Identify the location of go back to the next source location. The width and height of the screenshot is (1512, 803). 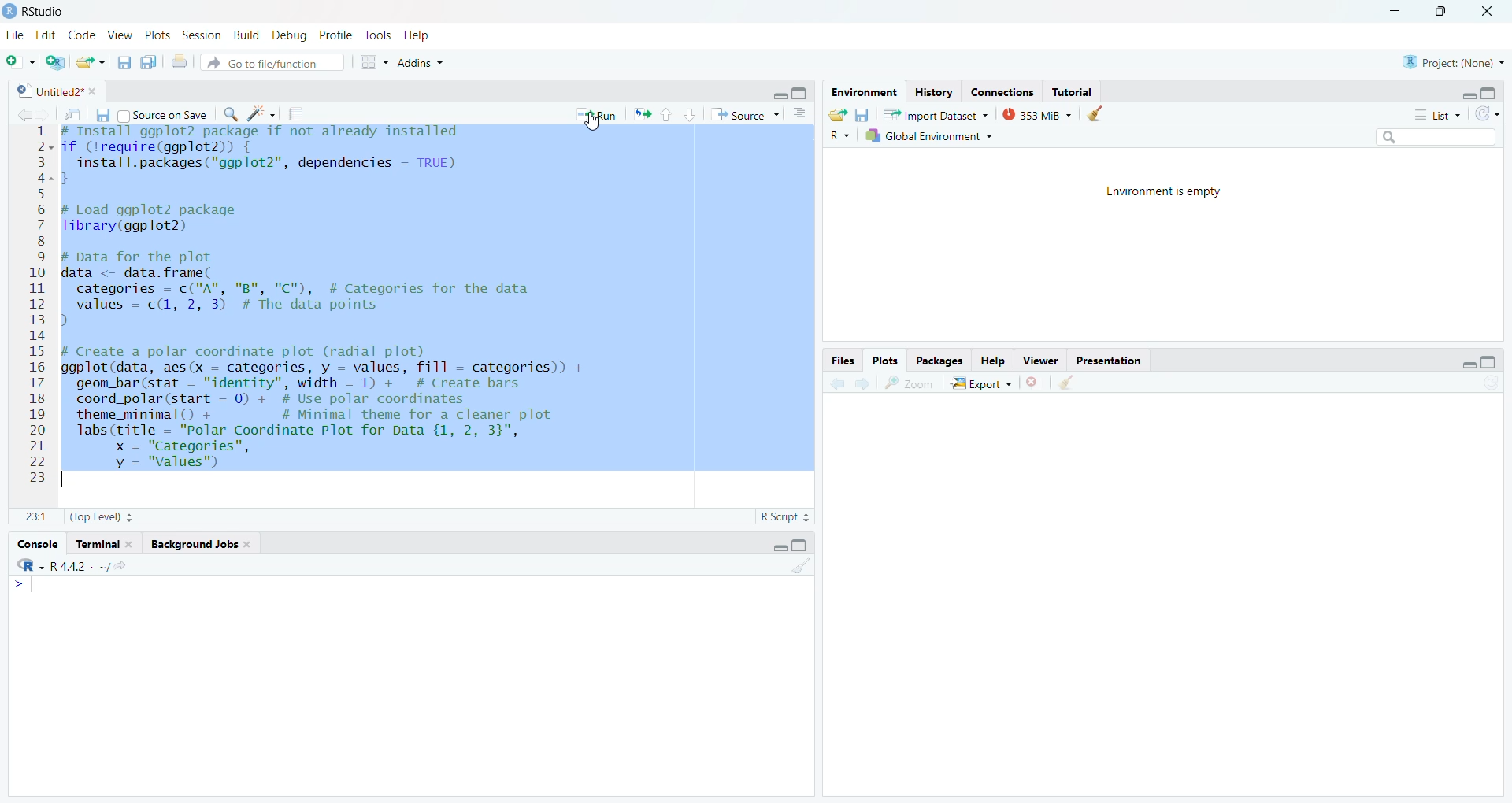
(46, 114).